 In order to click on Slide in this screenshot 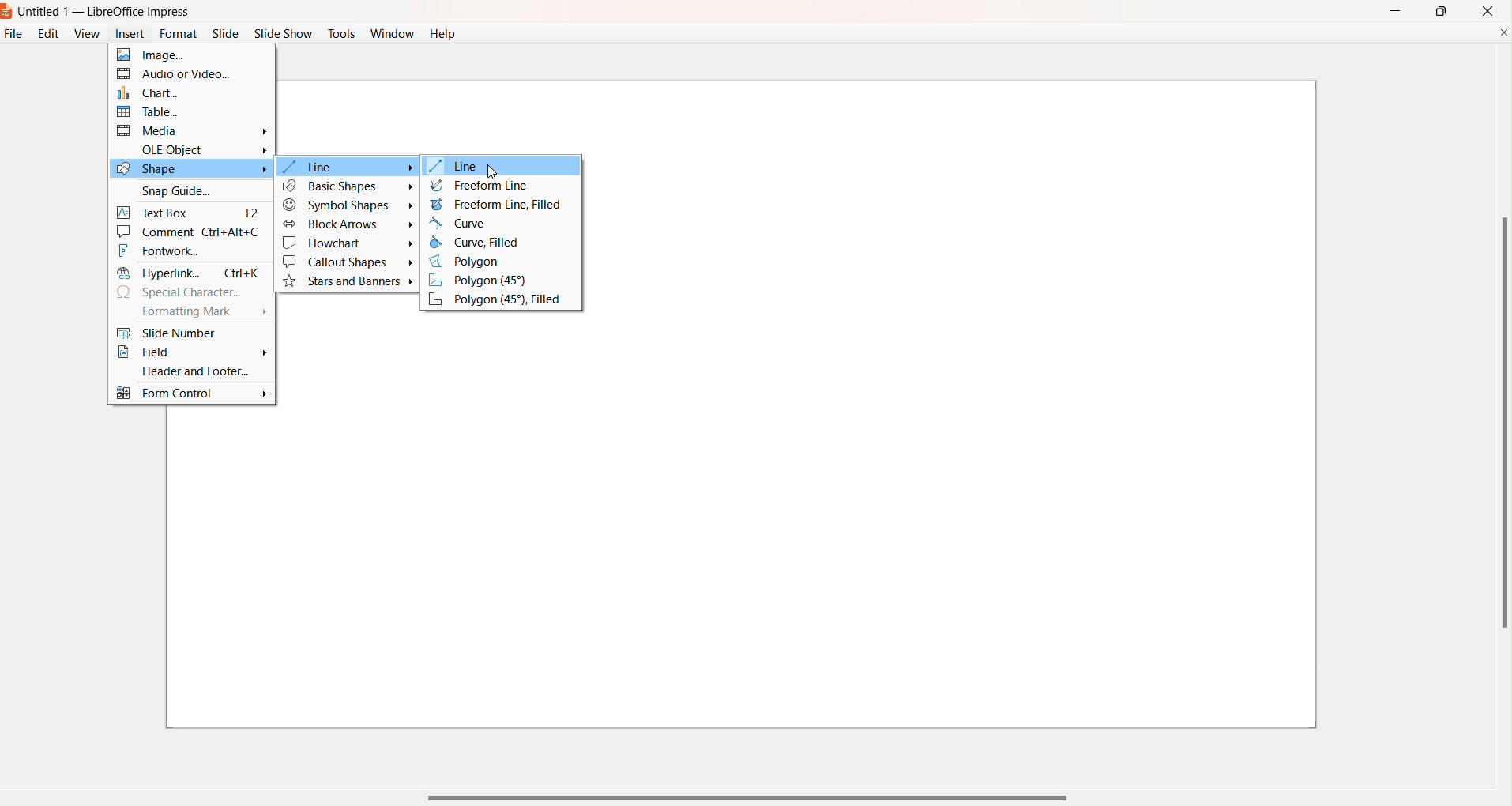, I will do `click(226, 34)`.